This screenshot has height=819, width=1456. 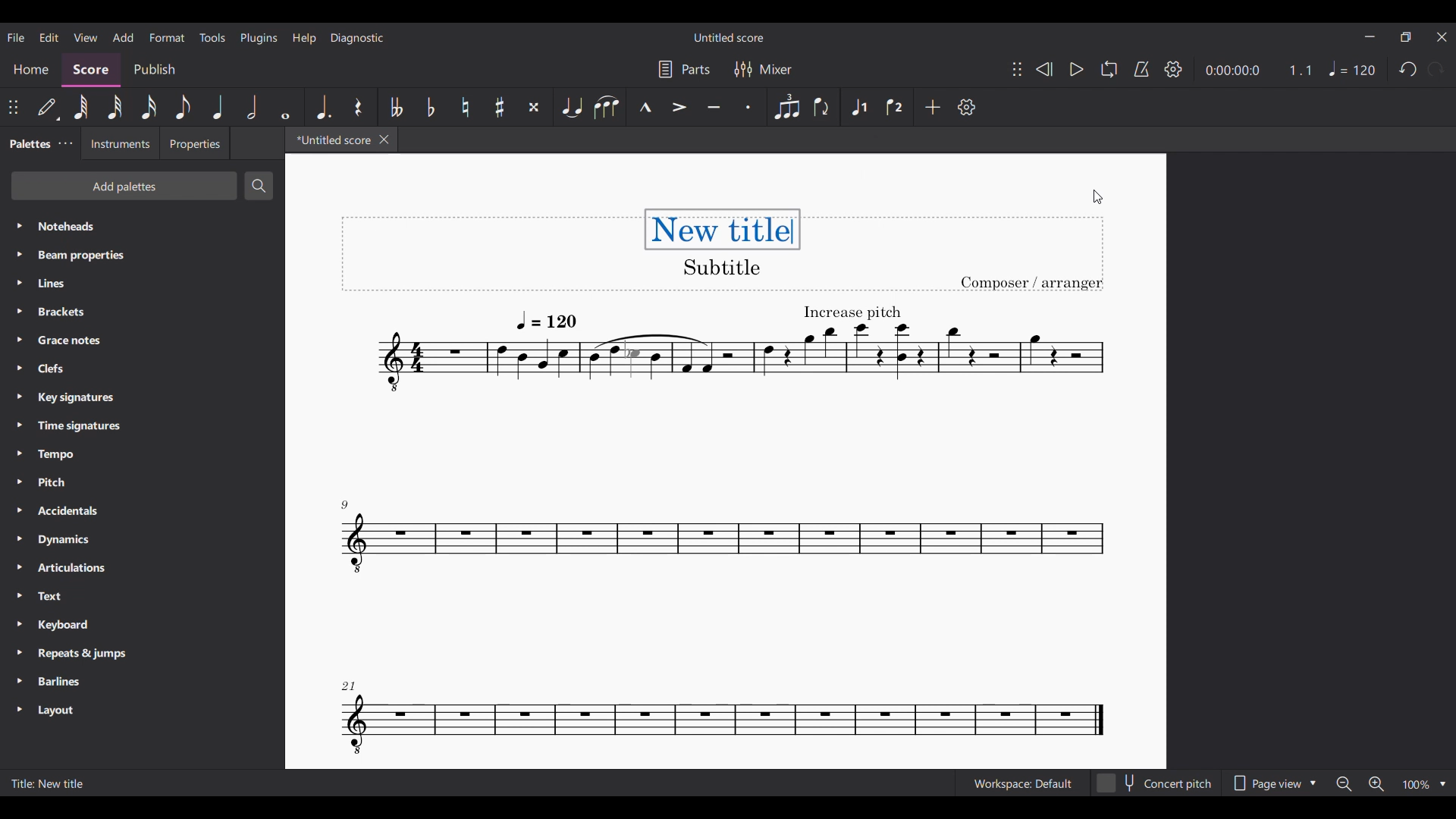 What do you see at coordinates (13, 107) in the screenshot?
I see `Change position ` at bounding box center [13, 107].